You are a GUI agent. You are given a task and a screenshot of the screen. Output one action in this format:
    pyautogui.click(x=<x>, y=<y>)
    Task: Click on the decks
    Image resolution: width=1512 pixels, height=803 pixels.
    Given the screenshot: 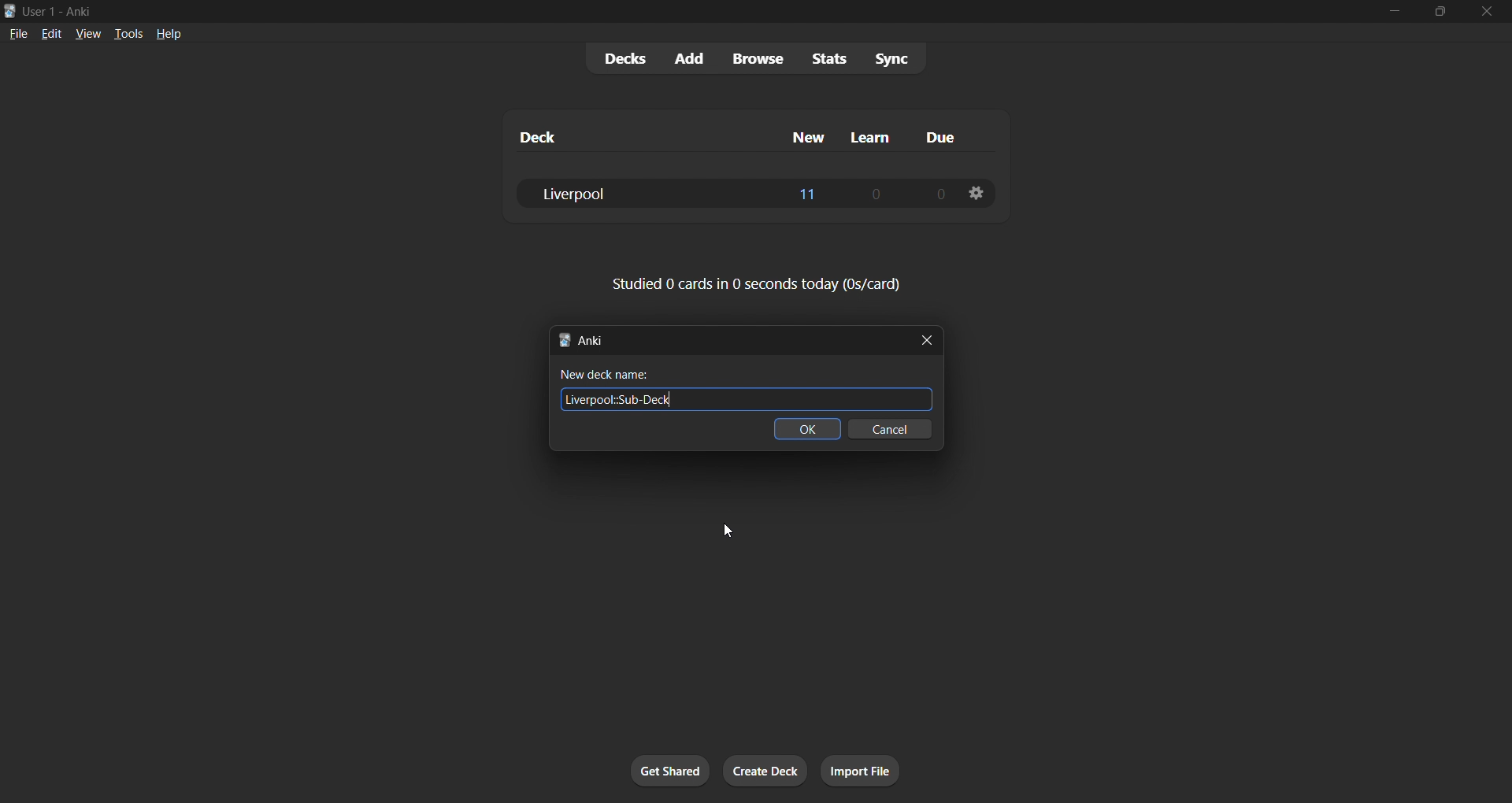 What is the action you would take?
    pyautogui.click(x=618, y=57)
    